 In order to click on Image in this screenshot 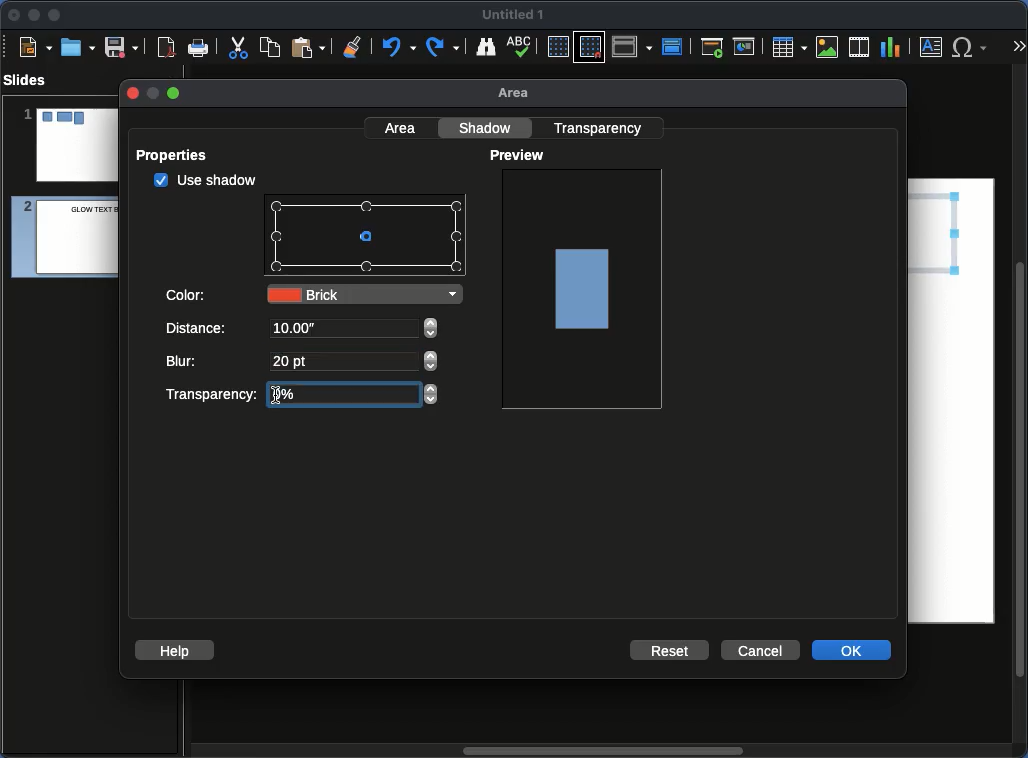, I will do `click(584, 287)`.